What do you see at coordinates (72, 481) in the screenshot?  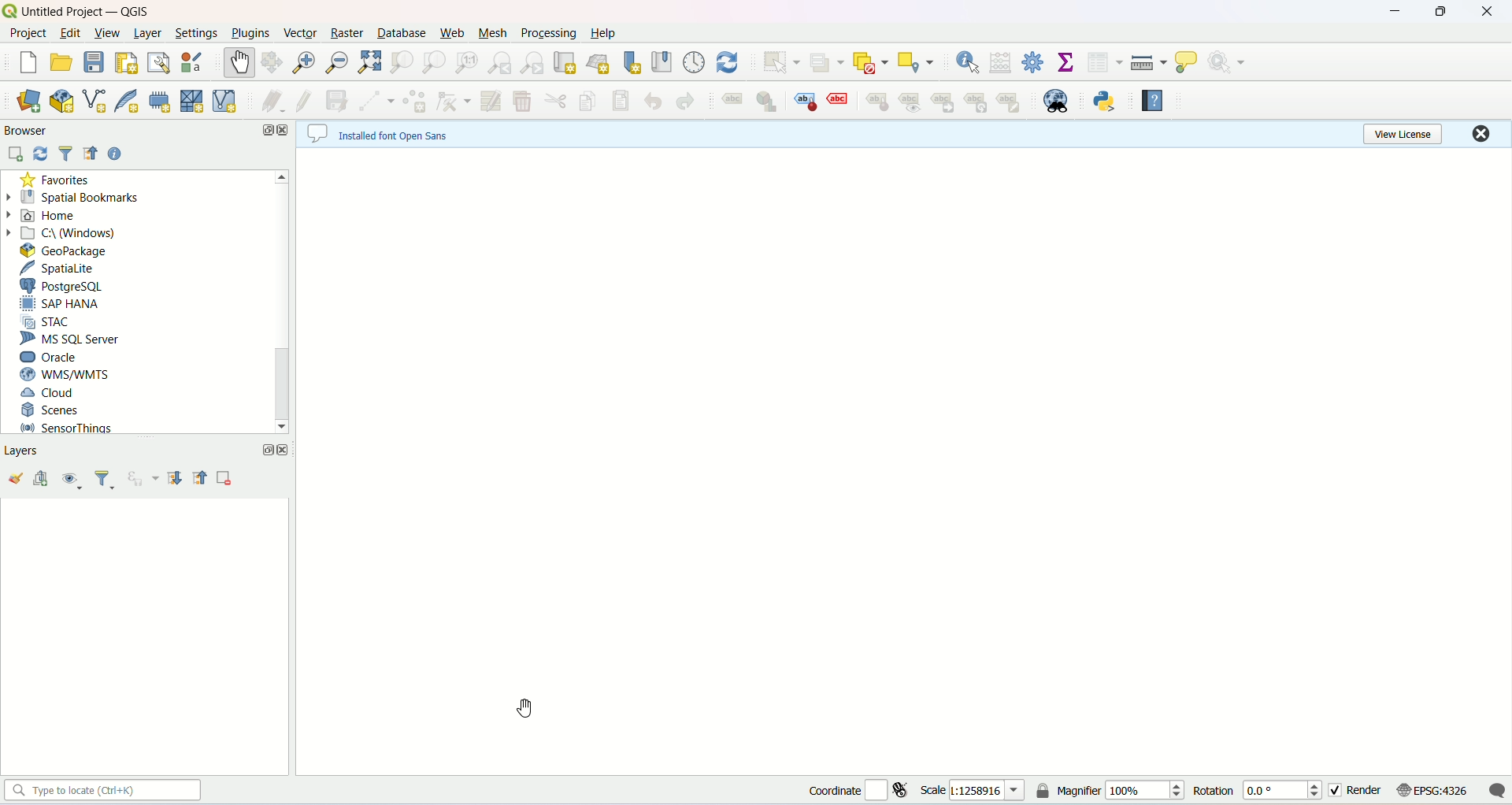 I see `manage map theme` at bounding box center [72, 481].